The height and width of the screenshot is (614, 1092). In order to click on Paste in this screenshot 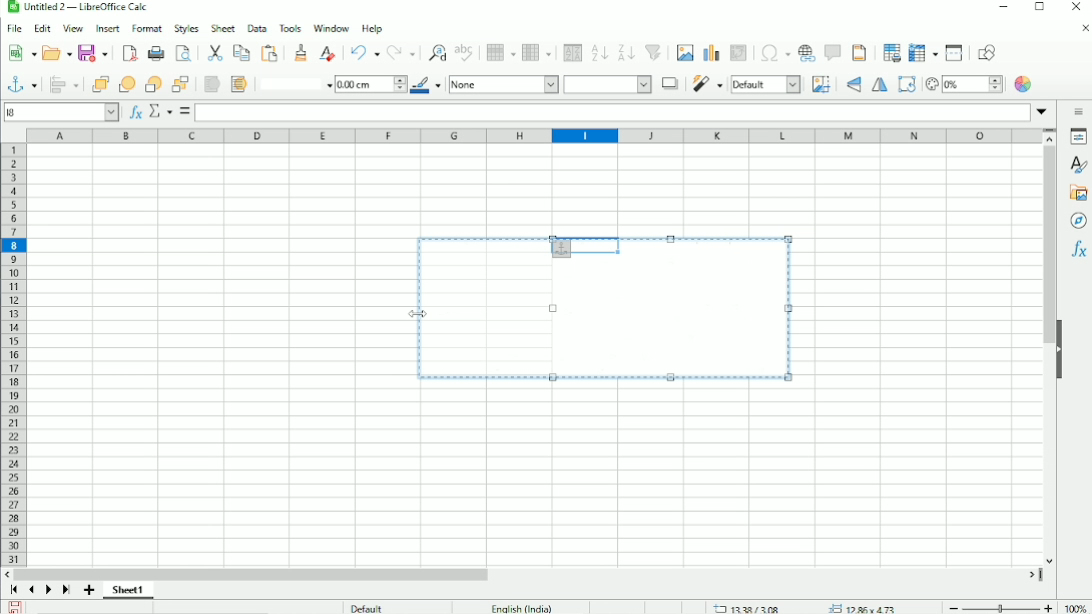, I will do `click(271, 53)`.